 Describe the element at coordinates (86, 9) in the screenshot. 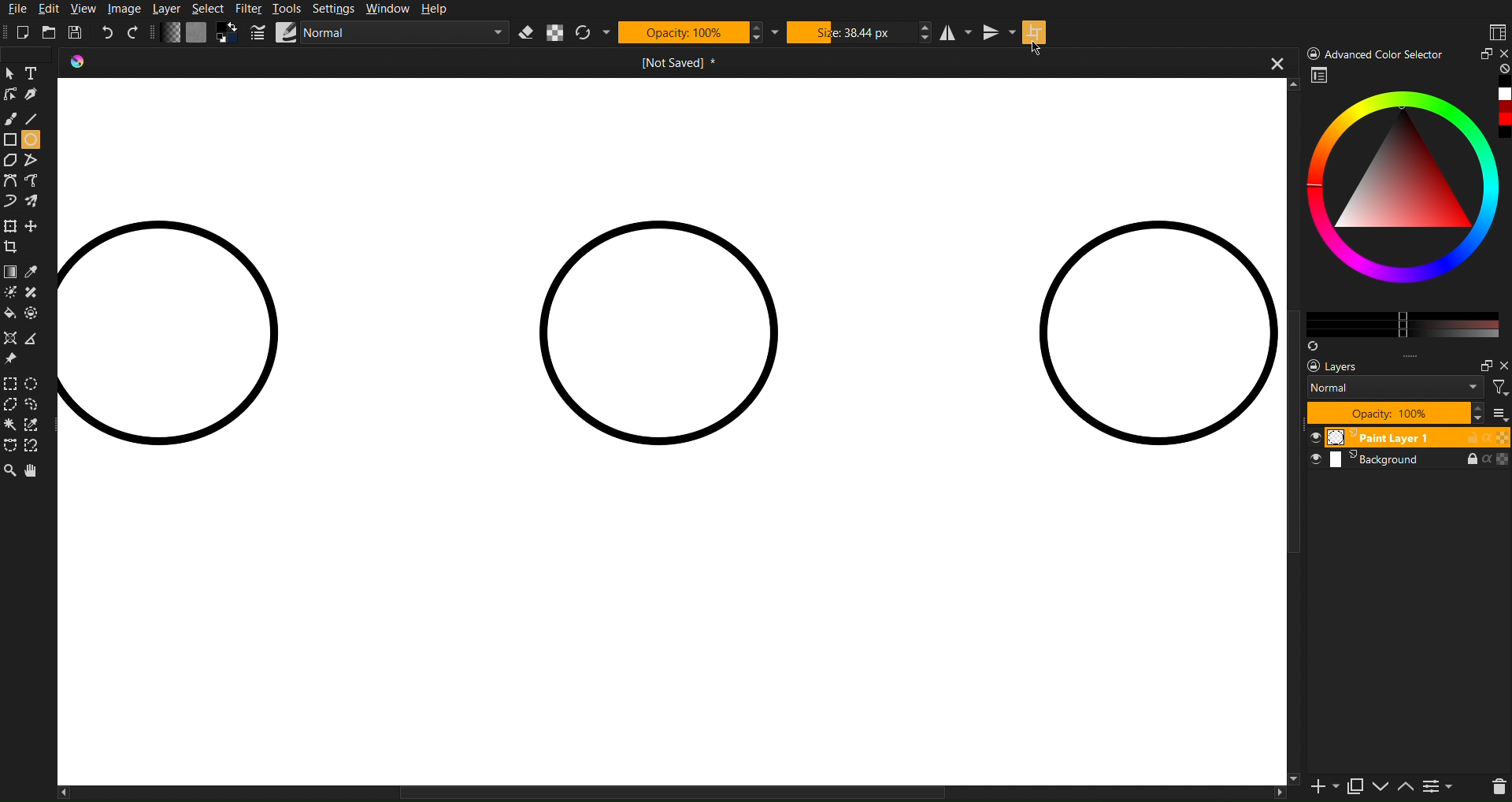

I see `View` at that location.